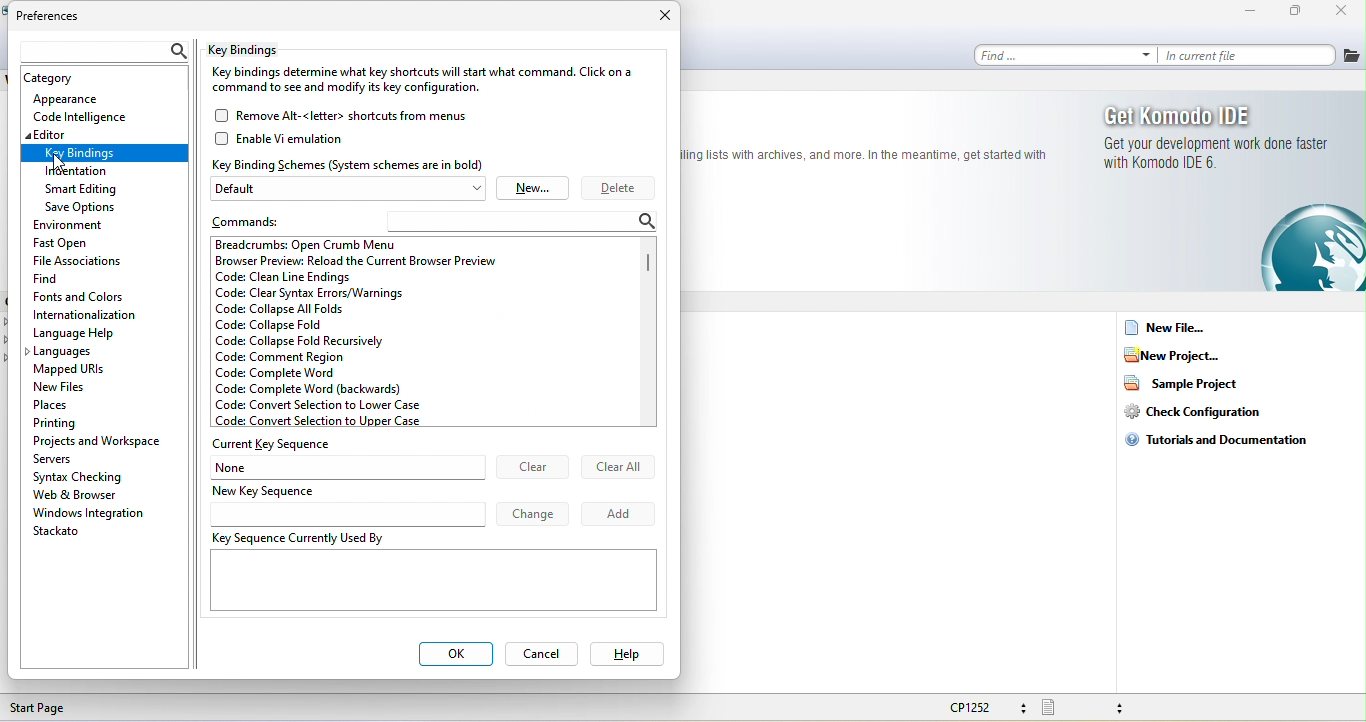 This screenshot has width=1366, height=722. Describe the element at coordinates (88, 513) in the screenshot. I see `windows integration` at that location.